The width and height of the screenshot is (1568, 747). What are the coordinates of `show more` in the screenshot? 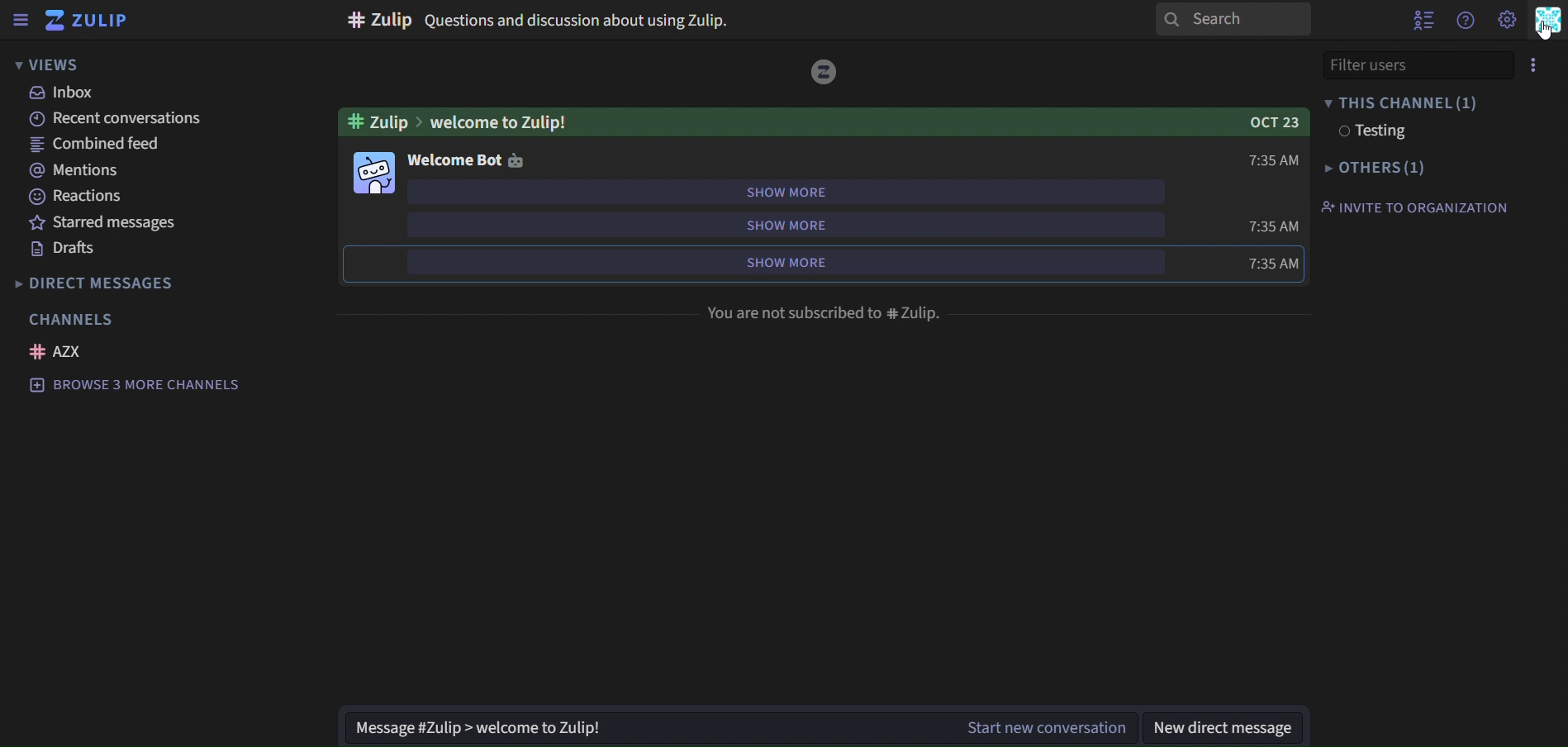 It's located at (783, 222).